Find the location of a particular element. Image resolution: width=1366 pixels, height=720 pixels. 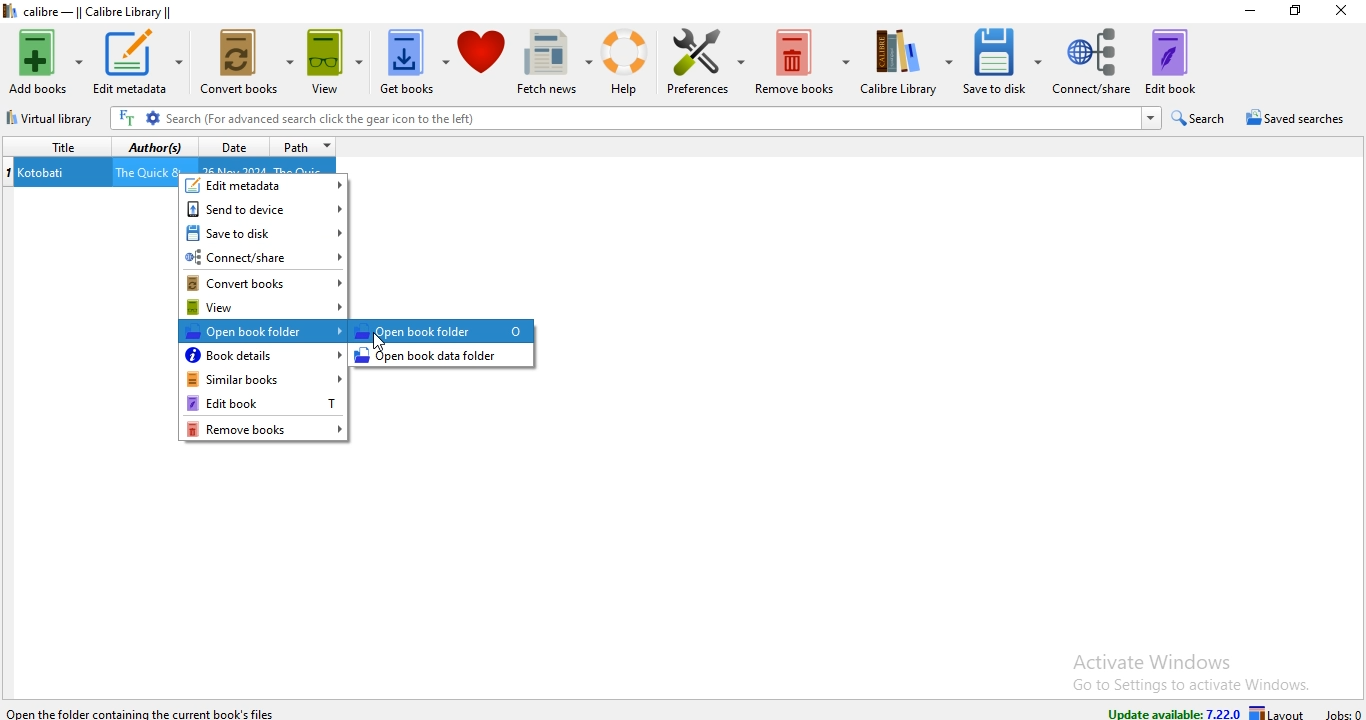

edit metadata is located at coordinates (138, 61).